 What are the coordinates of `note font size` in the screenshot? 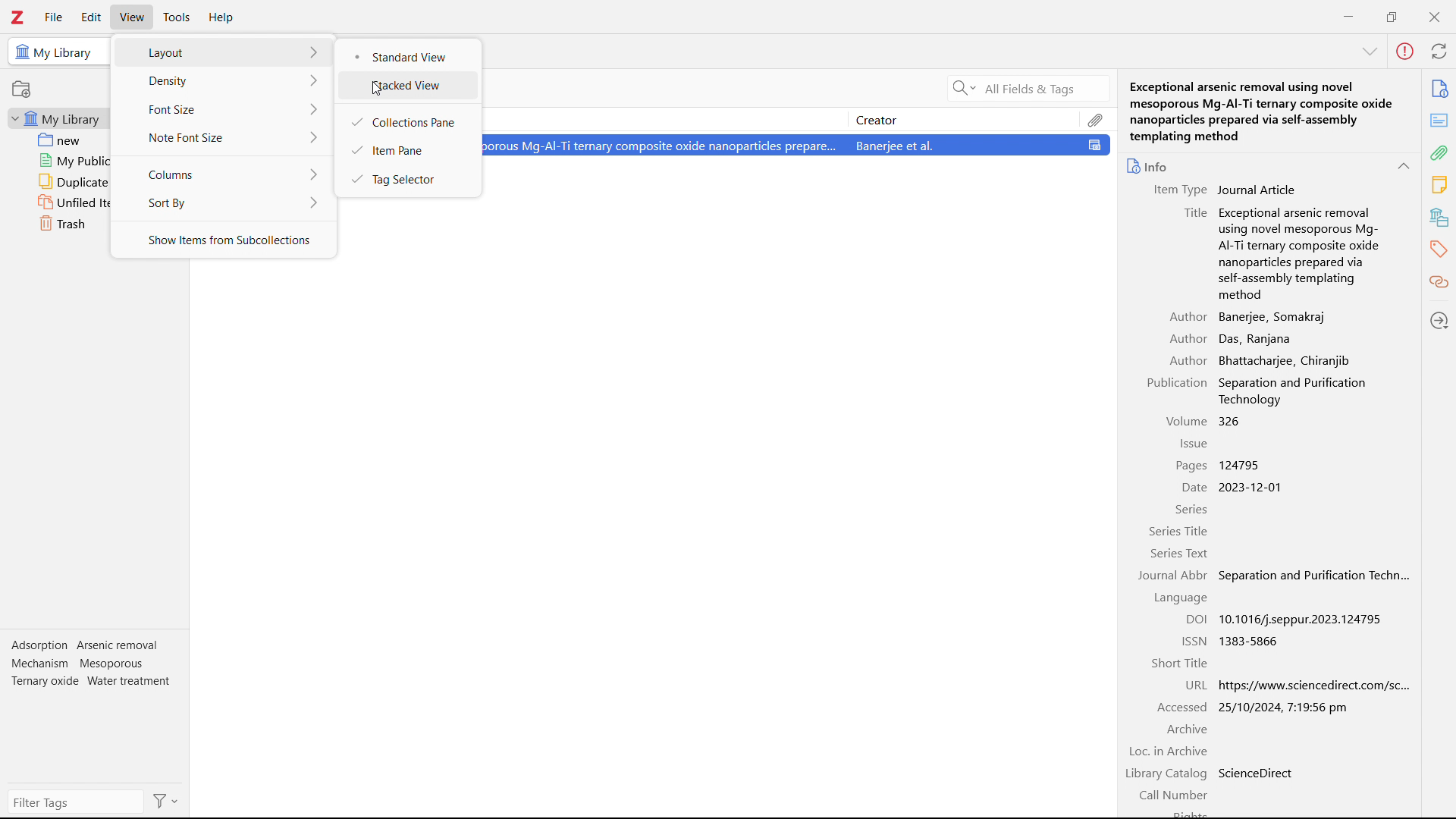 It's located at (224, 136).